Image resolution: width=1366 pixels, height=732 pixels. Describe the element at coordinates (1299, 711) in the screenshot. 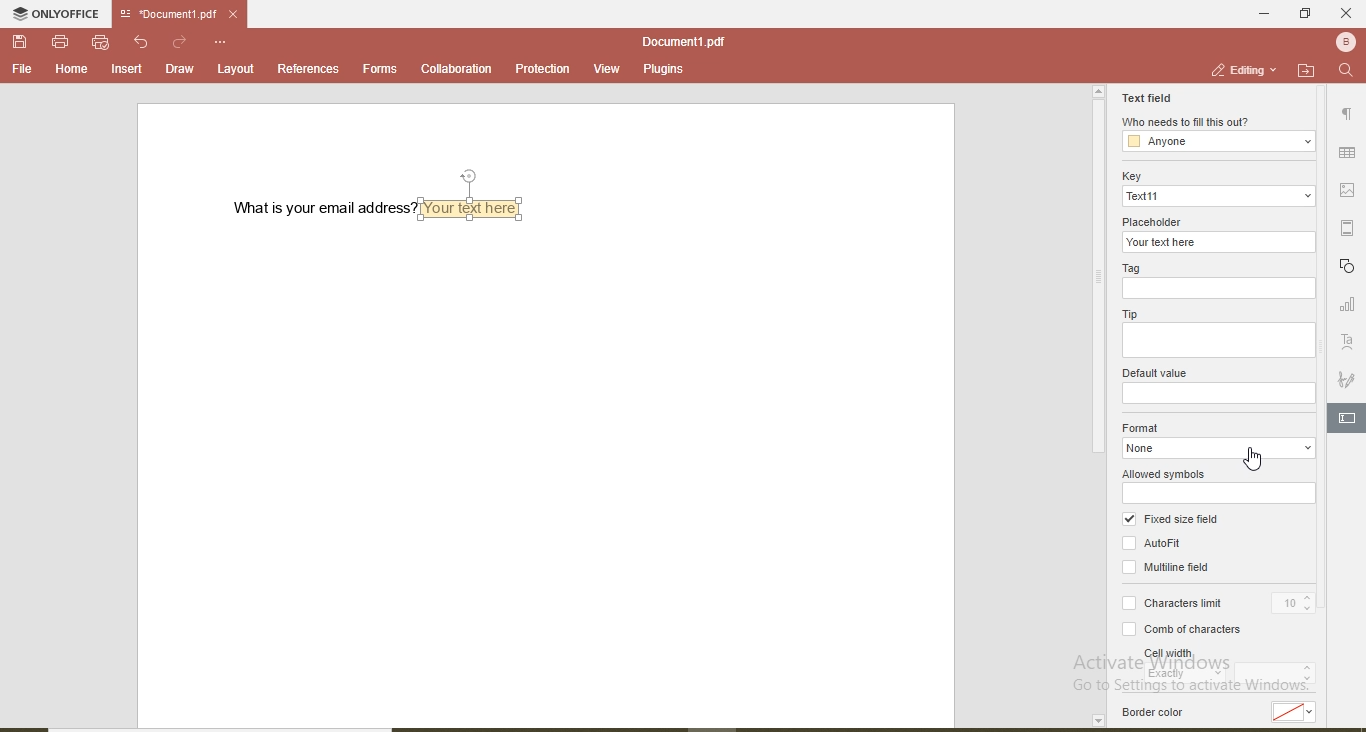

I see `color selector` at that location.